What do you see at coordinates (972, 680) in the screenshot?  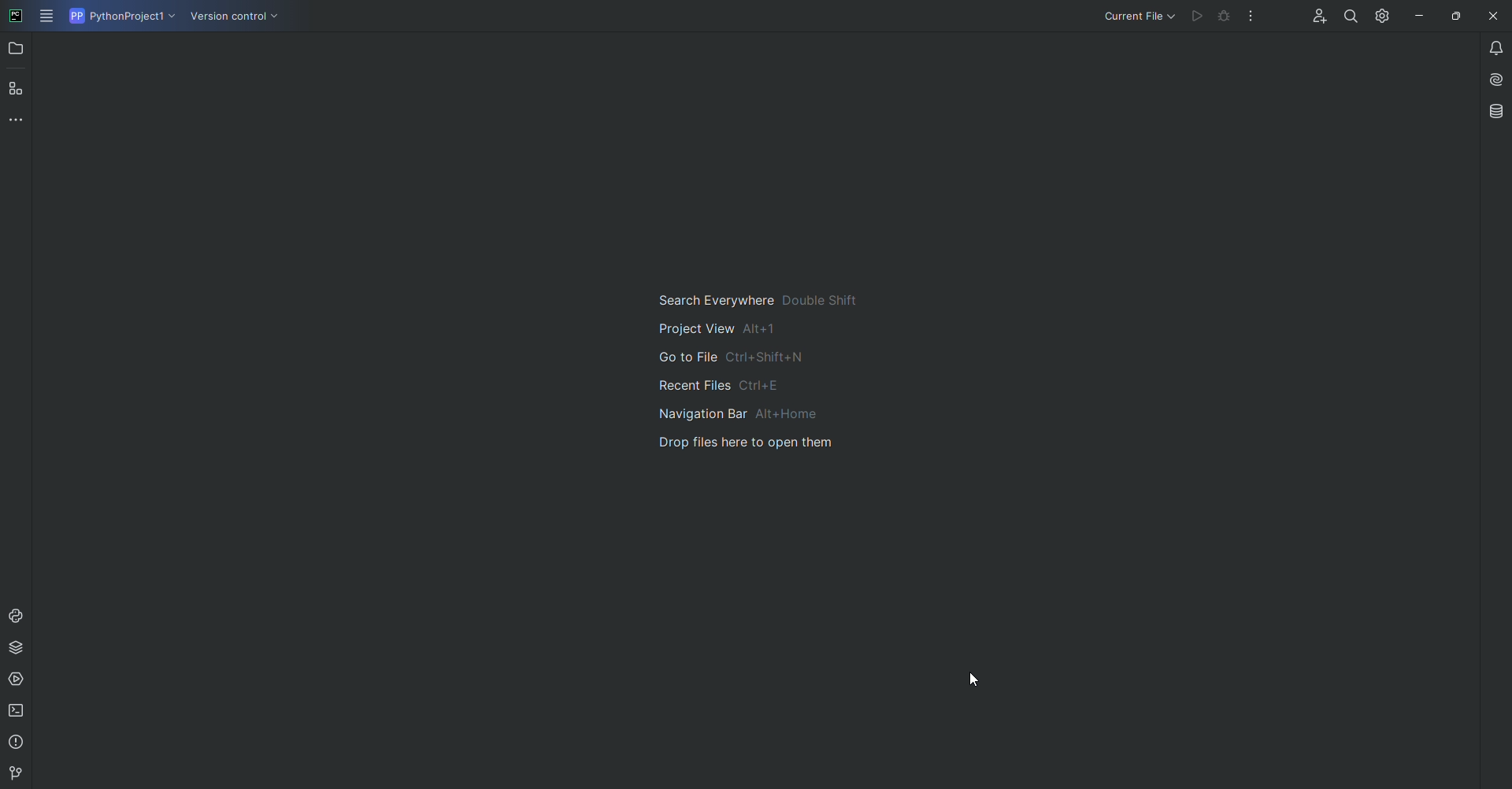 I see `Cursor` at bounding box center [972, 680].